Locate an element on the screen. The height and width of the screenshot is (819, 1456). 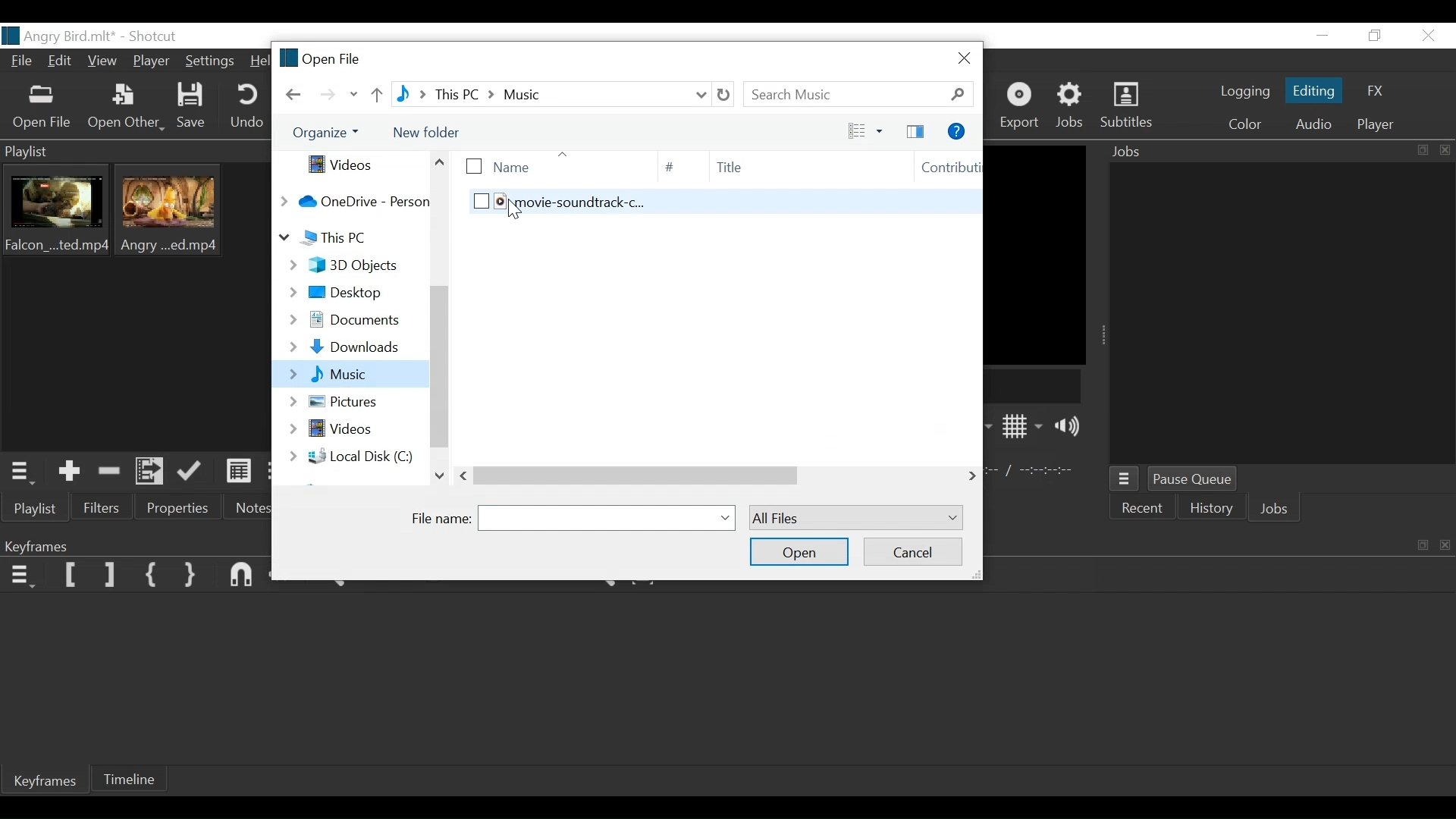
Filter is located at coordinates (102, 508).